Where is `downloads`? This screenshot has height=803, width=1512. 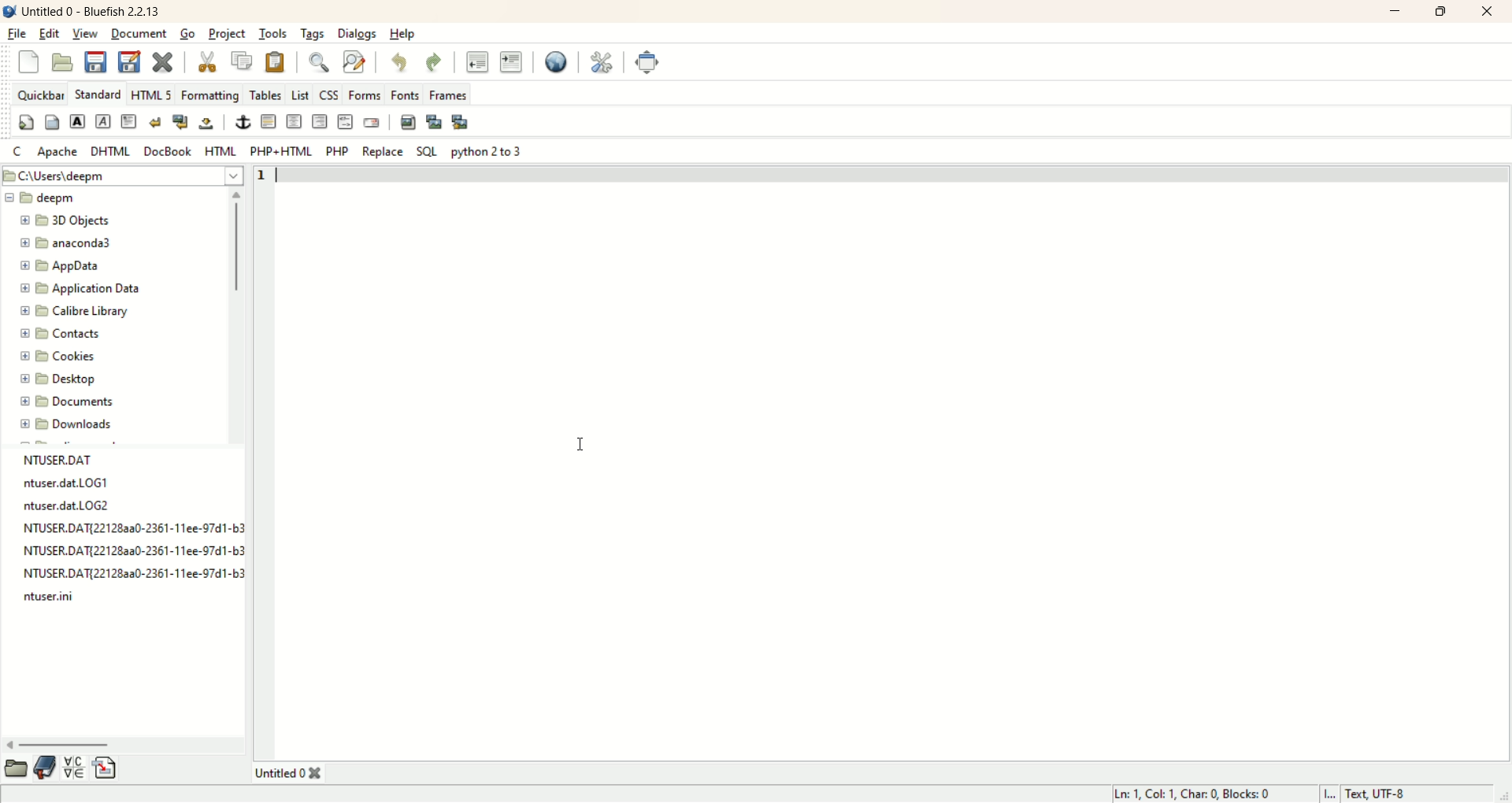 downloads is located at coordinates (65, 424).